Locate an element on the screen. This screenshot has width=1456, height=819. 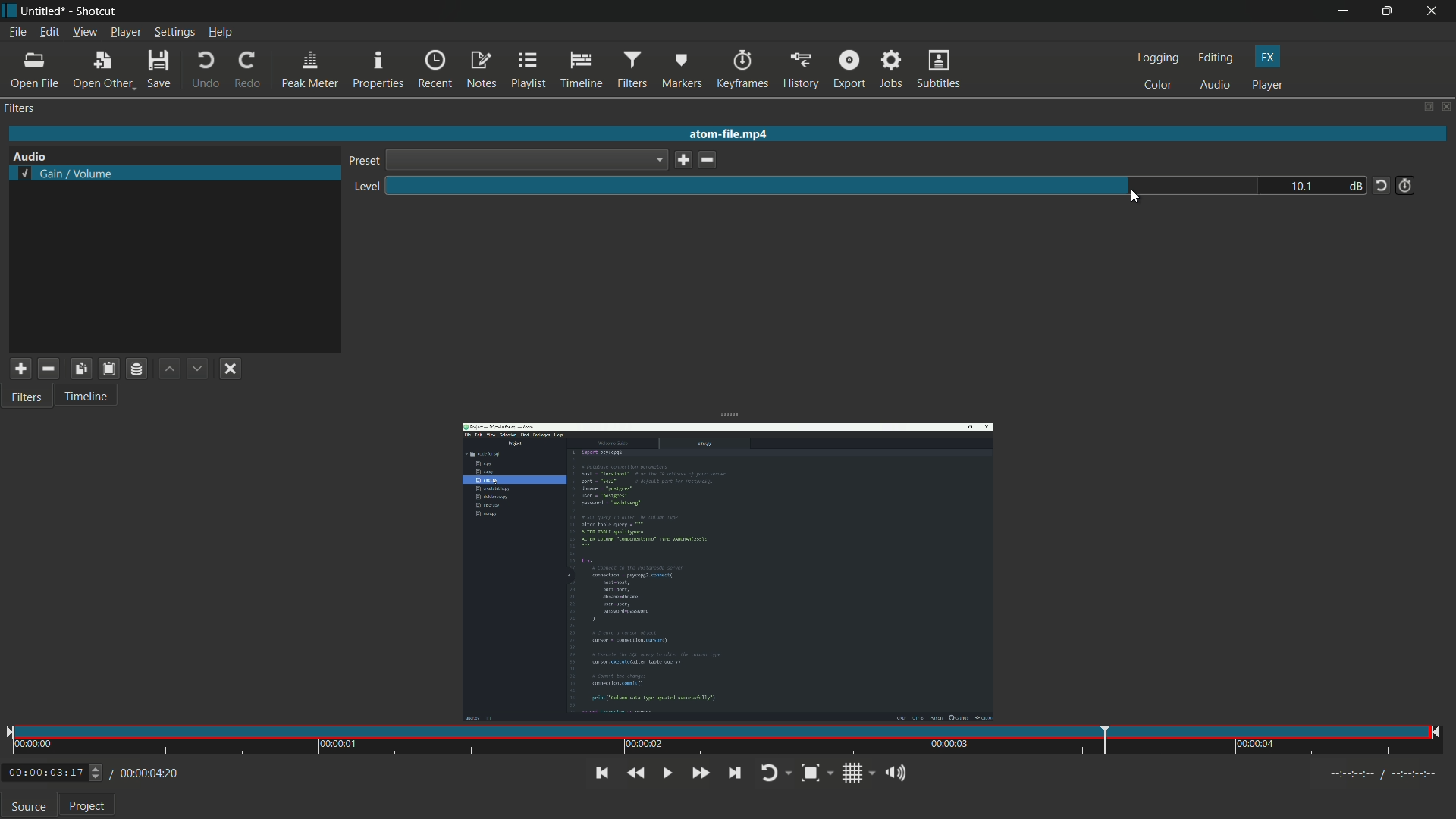
file menu is located at coordinates (17, 32).